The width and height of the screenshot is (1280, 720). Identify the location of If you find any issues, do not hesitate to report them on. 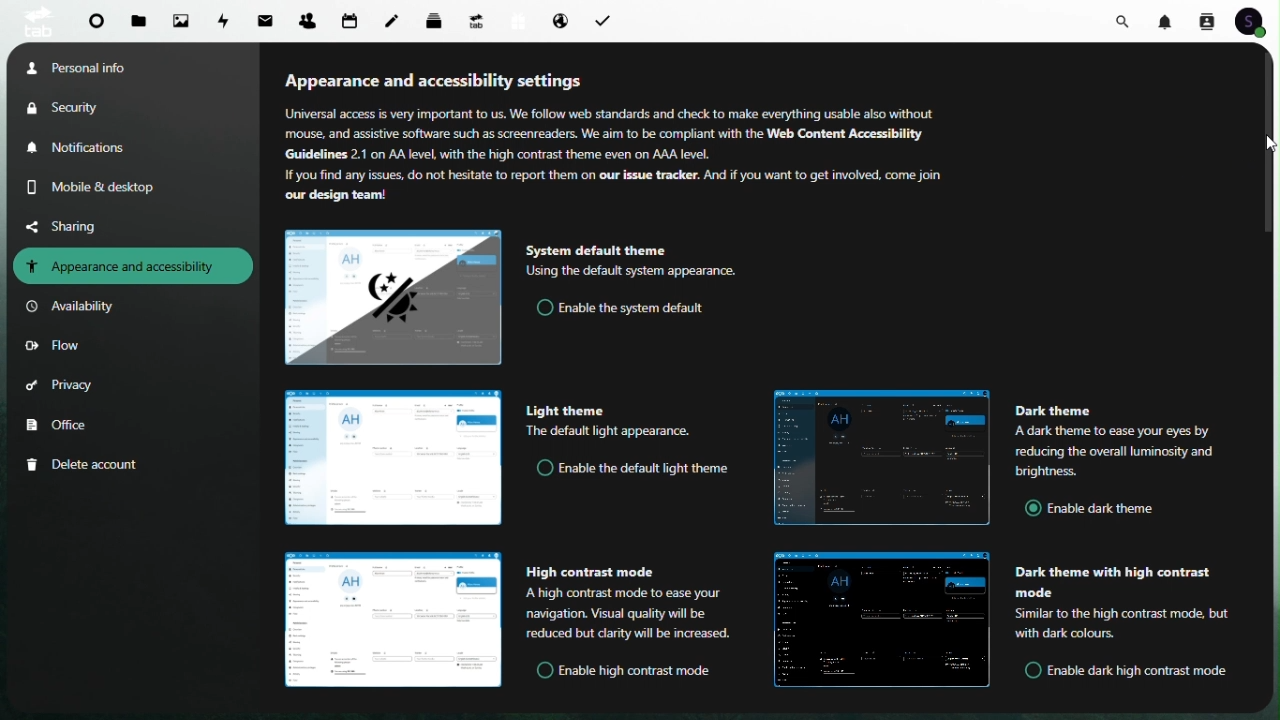
(430, 175).